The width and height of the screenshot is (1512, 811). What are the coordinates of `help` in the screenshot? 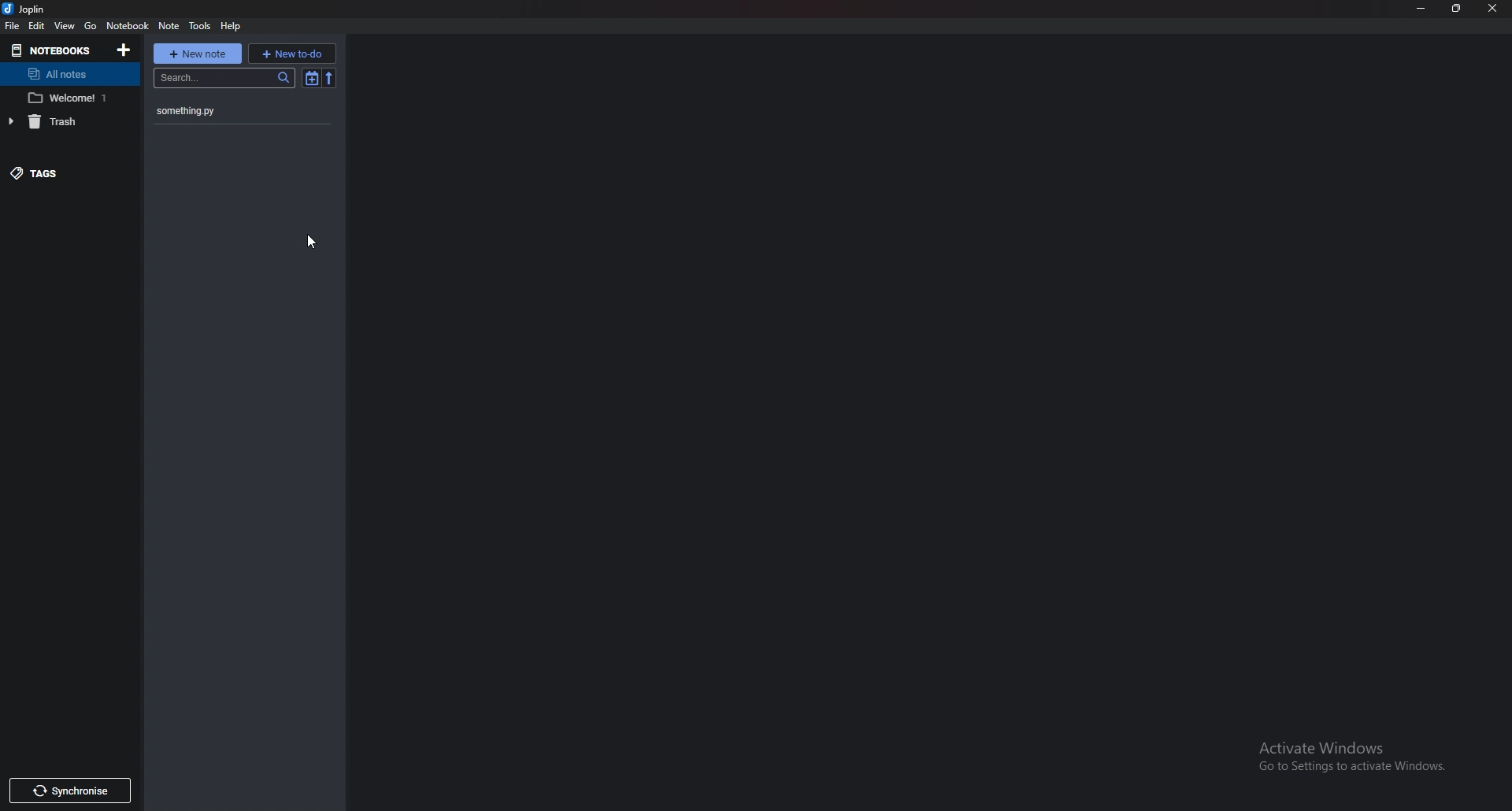 It's located at (233, 26).